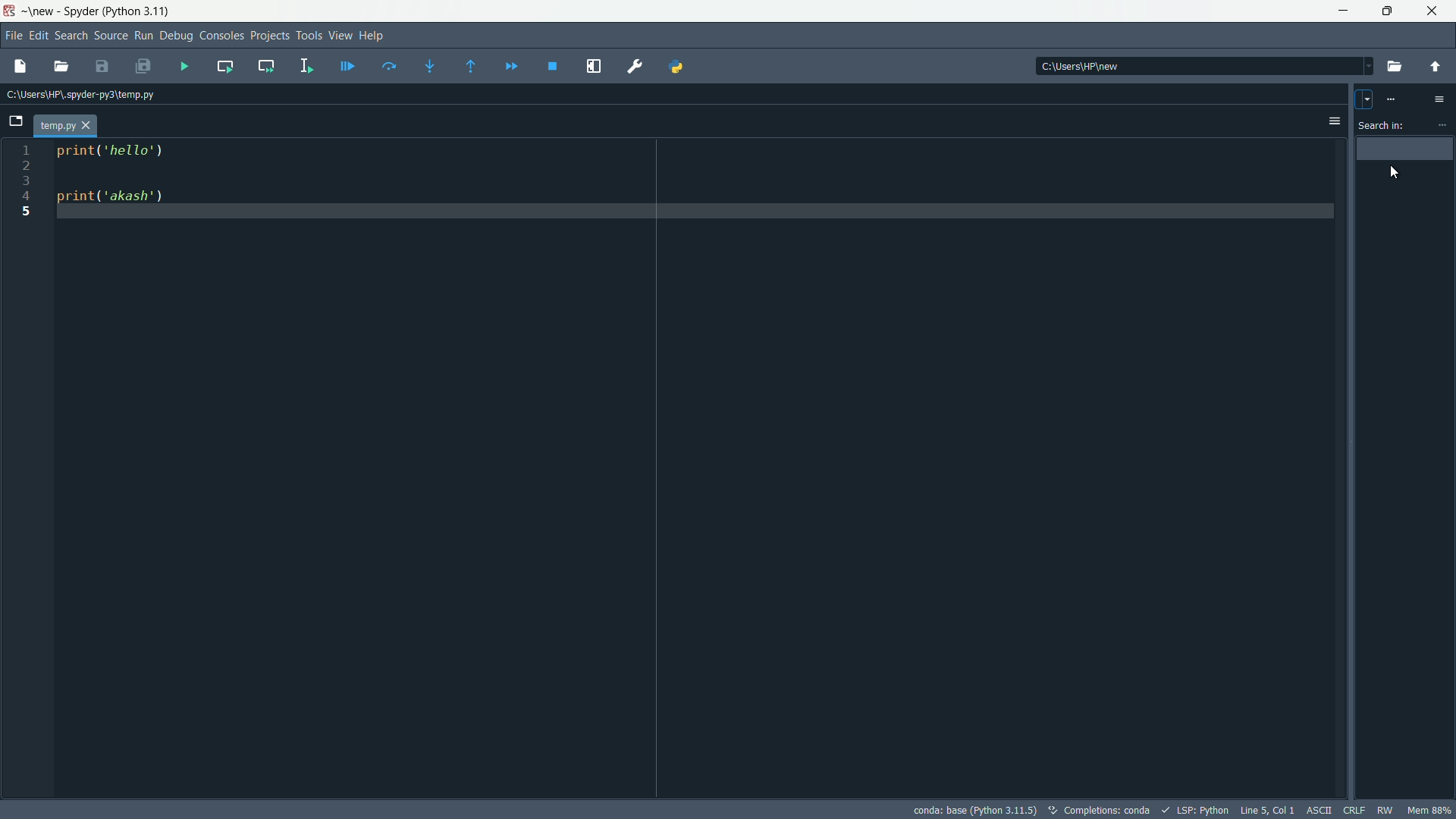  What do you see at coordinates (348, 64) in the screenshot?
I see `debug file` at bounding box center [348, 64].